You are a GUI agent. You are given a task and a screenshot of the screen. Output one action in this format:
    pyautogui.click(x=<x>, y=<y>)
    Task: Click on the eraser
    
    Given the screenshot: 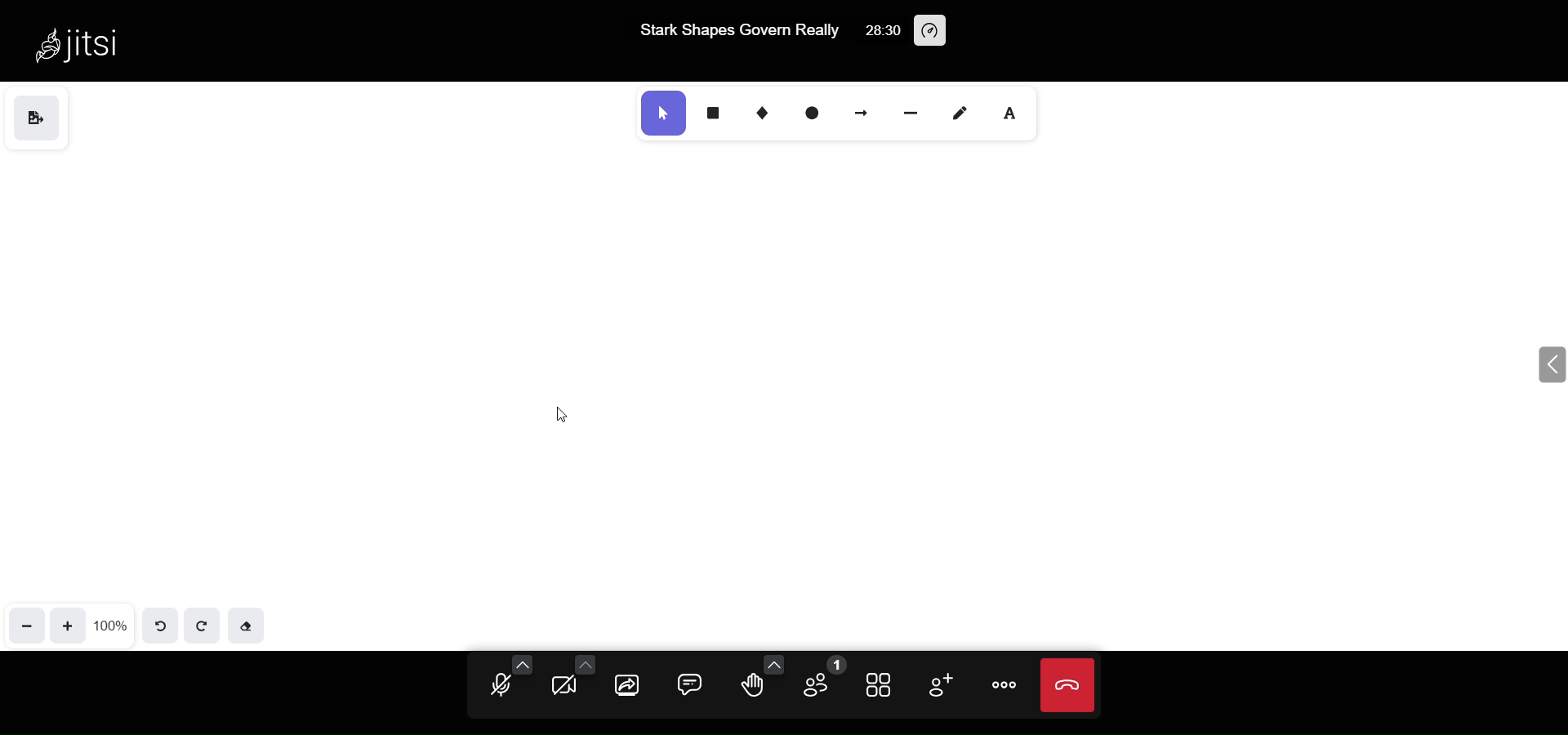 What is the action you would take?
    pyautogui.click(x=246, y=624)
    